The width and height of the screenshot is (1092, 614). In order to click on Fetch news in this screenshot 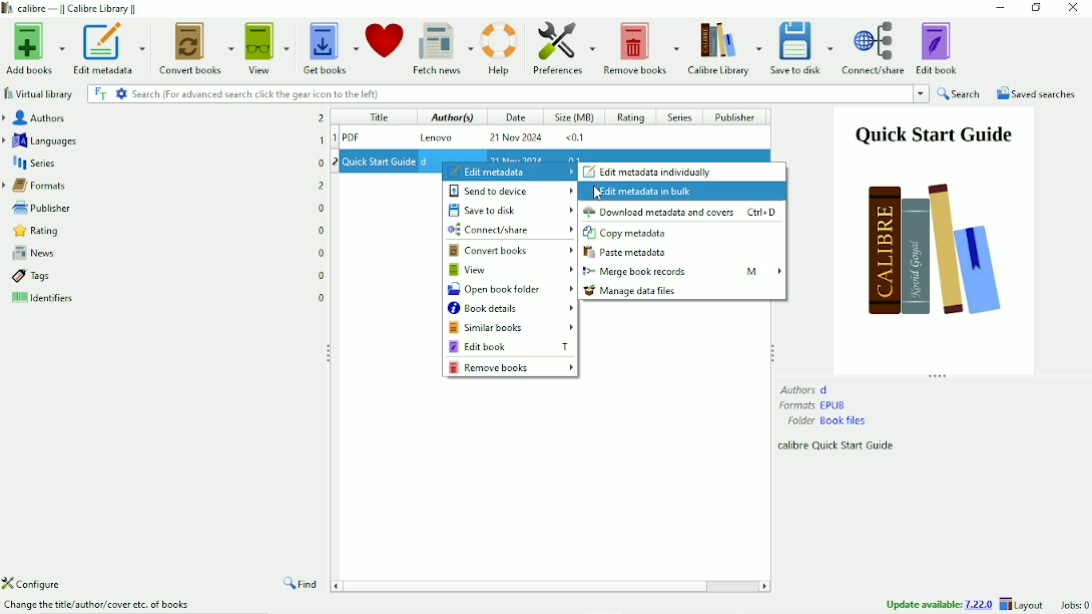, I will do `click(442, 47)`.